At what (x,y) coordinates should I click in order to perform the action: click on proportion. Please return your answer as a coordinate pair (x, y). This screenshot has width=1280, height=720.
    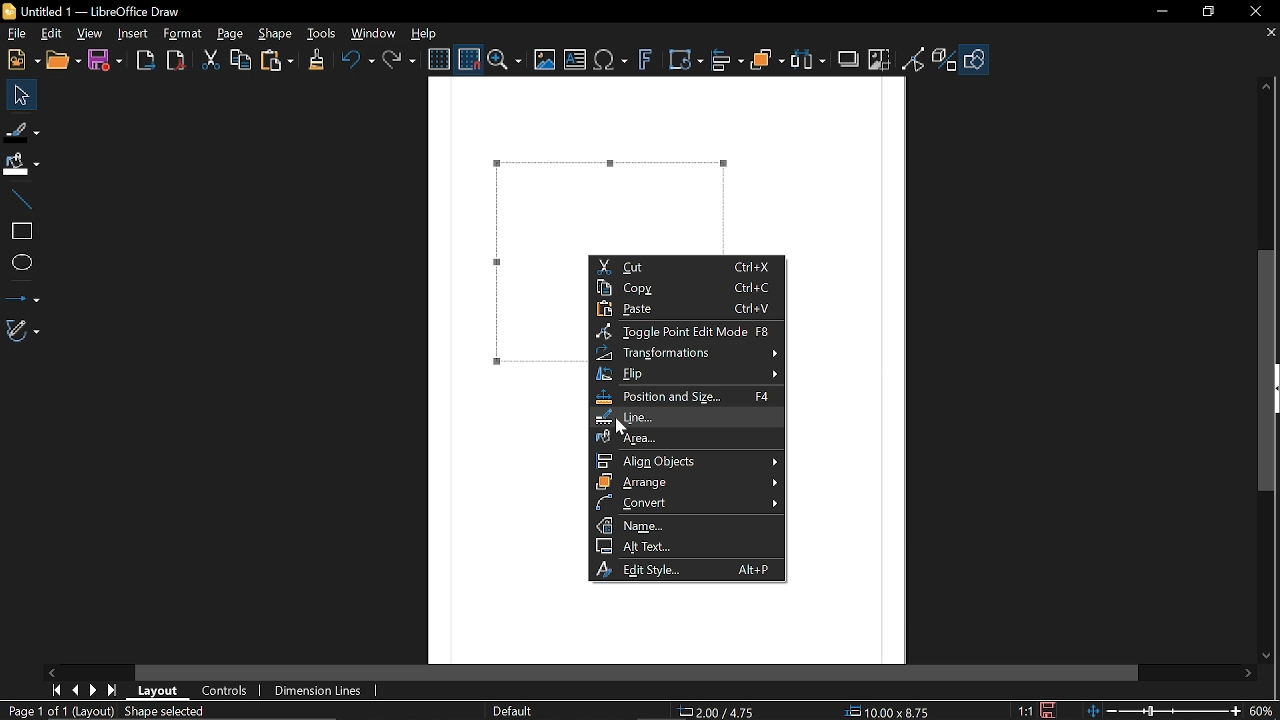
    Looking at the image, I should click on (1023, 710).